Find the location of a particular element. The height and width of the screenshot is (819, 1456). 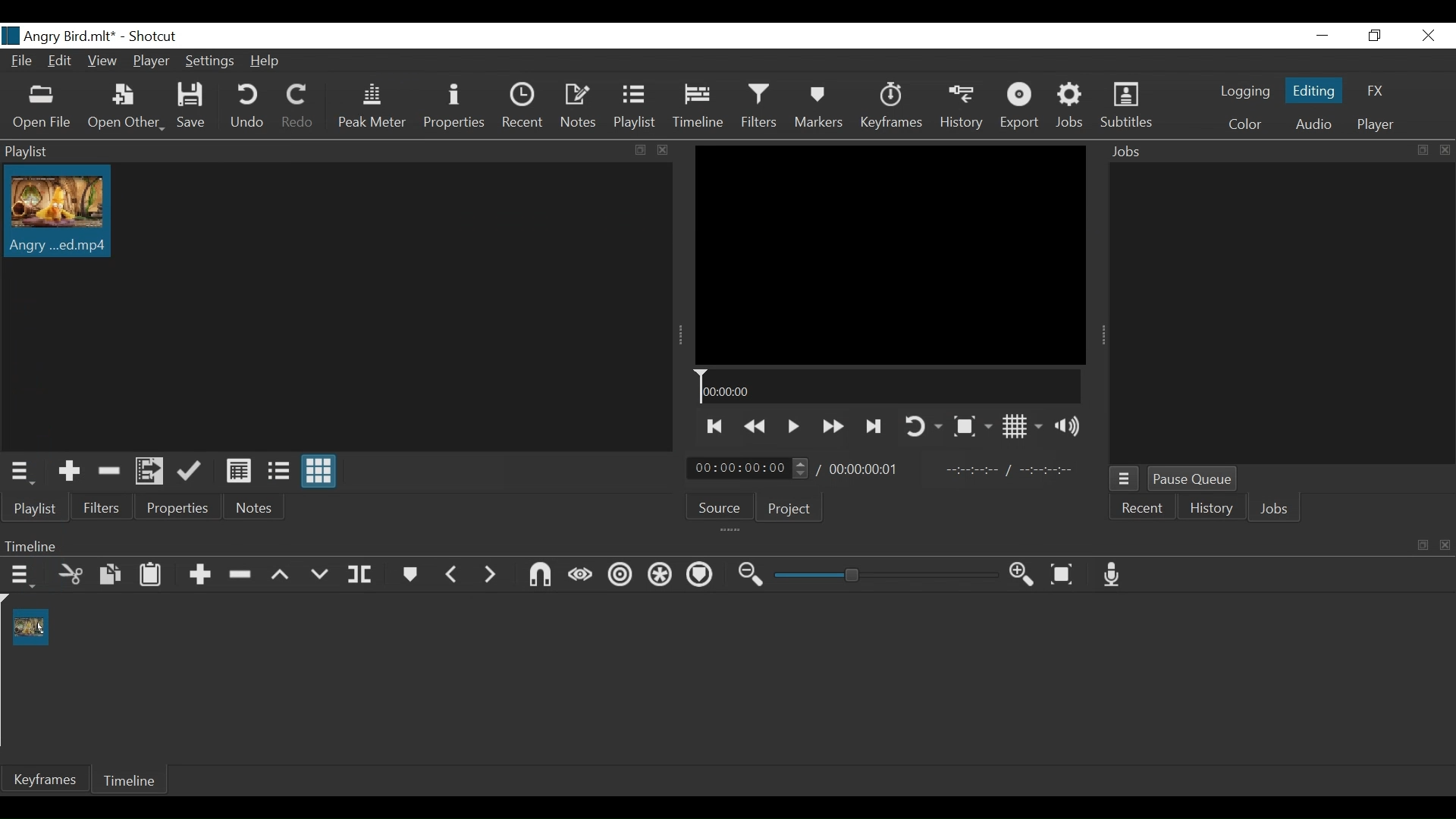

Open Other is located at coordinates (124, 108).